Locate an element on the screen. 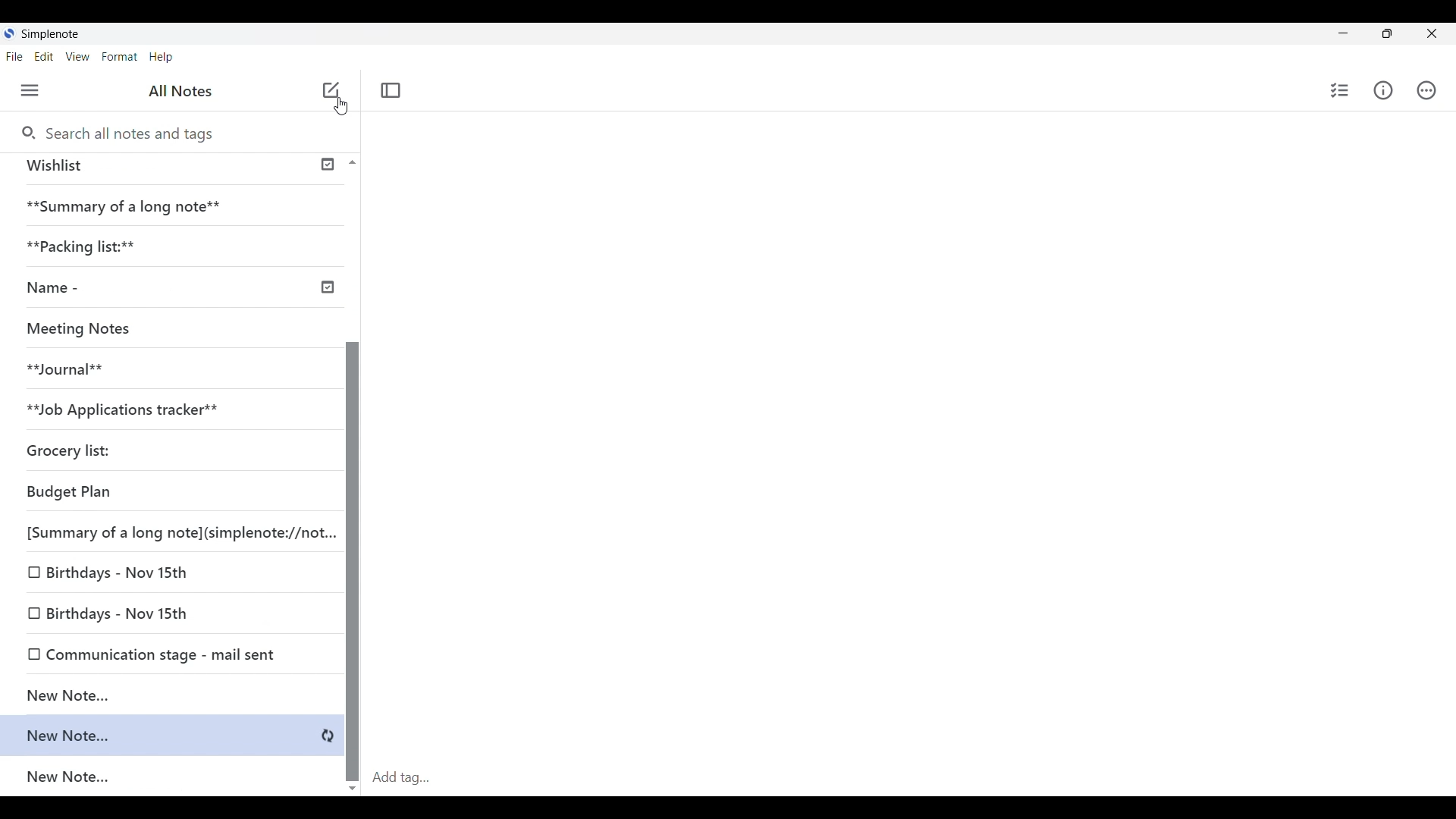 The image size is (1456, 819). **Packaging list:** is located at coordinates (81, 244).